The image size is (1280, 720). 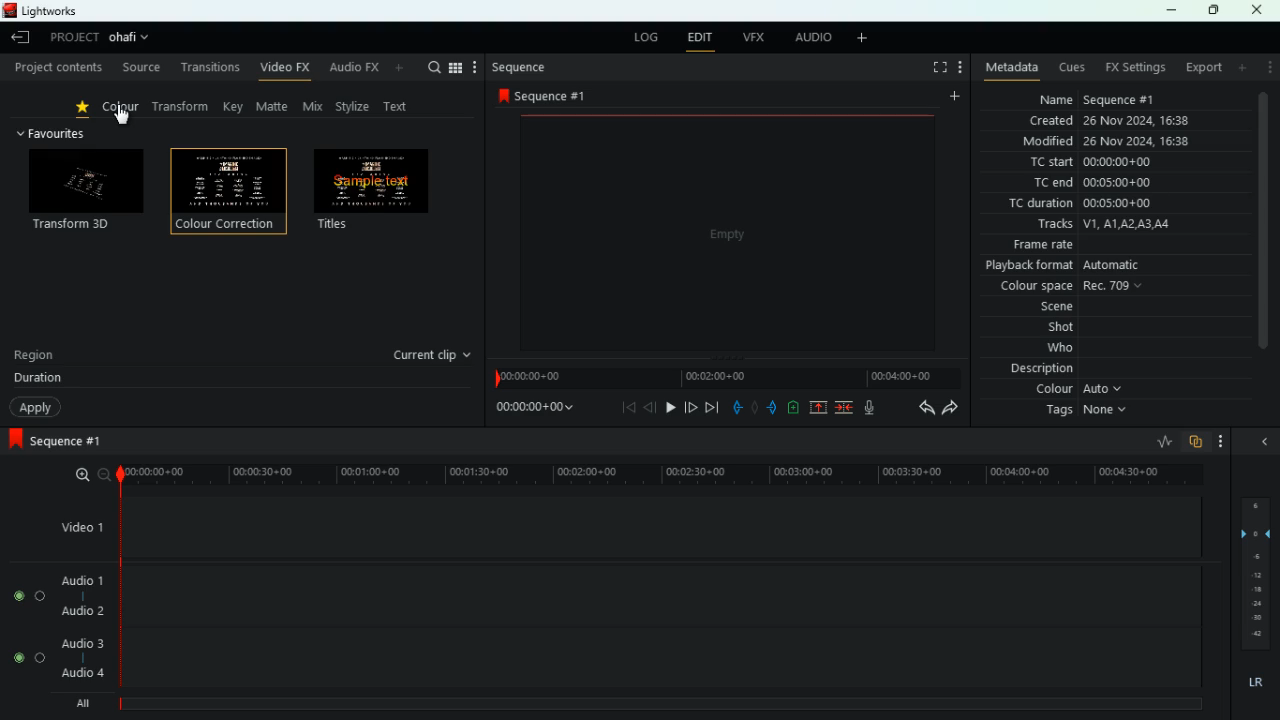 What do you see at coordinates (1110, 245) in the screenshot?
I see `frame rate` at bounding box center [1110, 245].